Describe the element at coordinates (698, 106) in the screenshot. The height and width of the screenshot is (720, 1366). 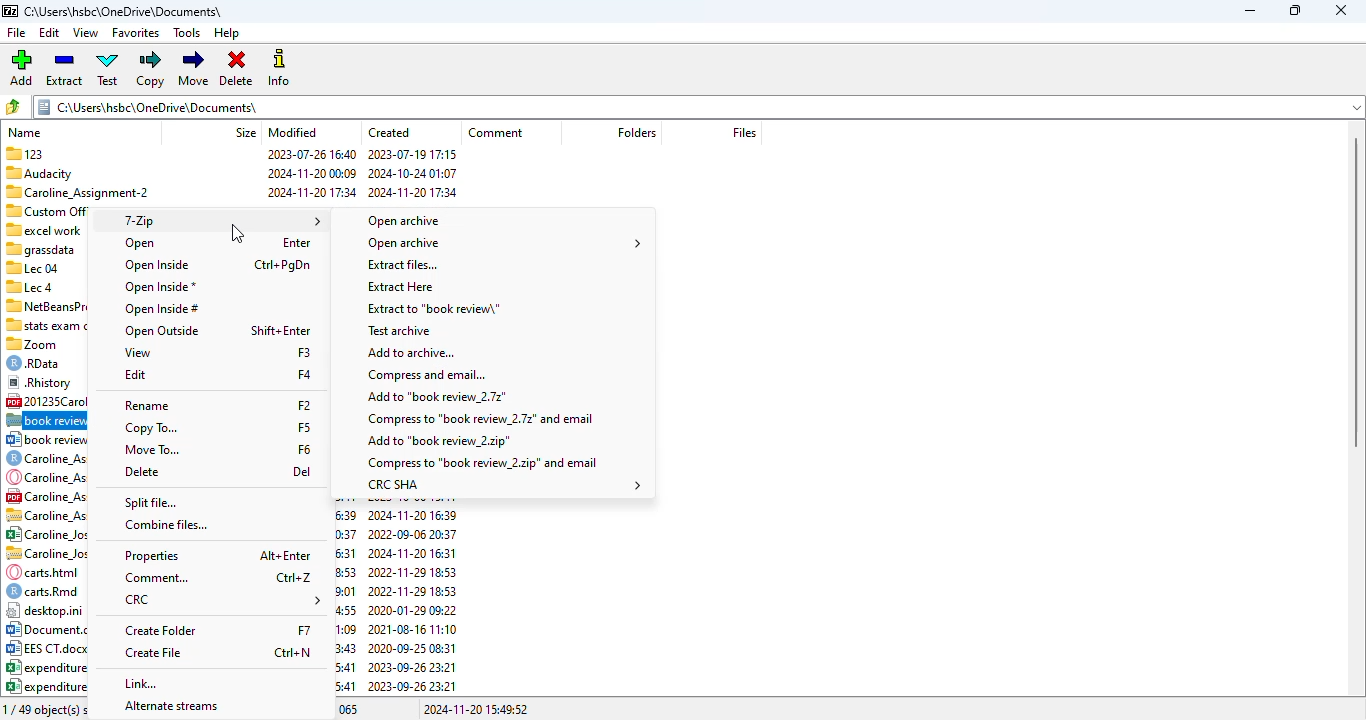
I see `current folder` at that location.